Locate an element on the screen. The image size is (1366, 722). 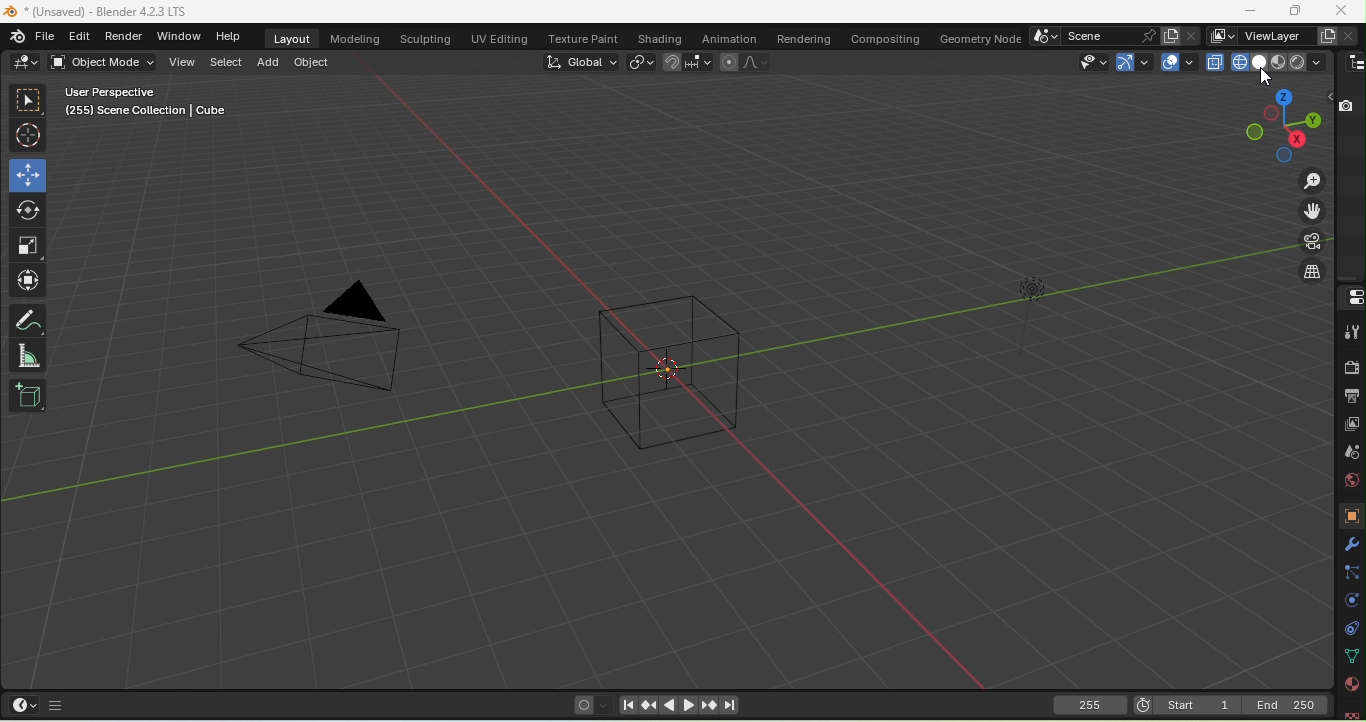
Move is located at coordinates (26, 176).